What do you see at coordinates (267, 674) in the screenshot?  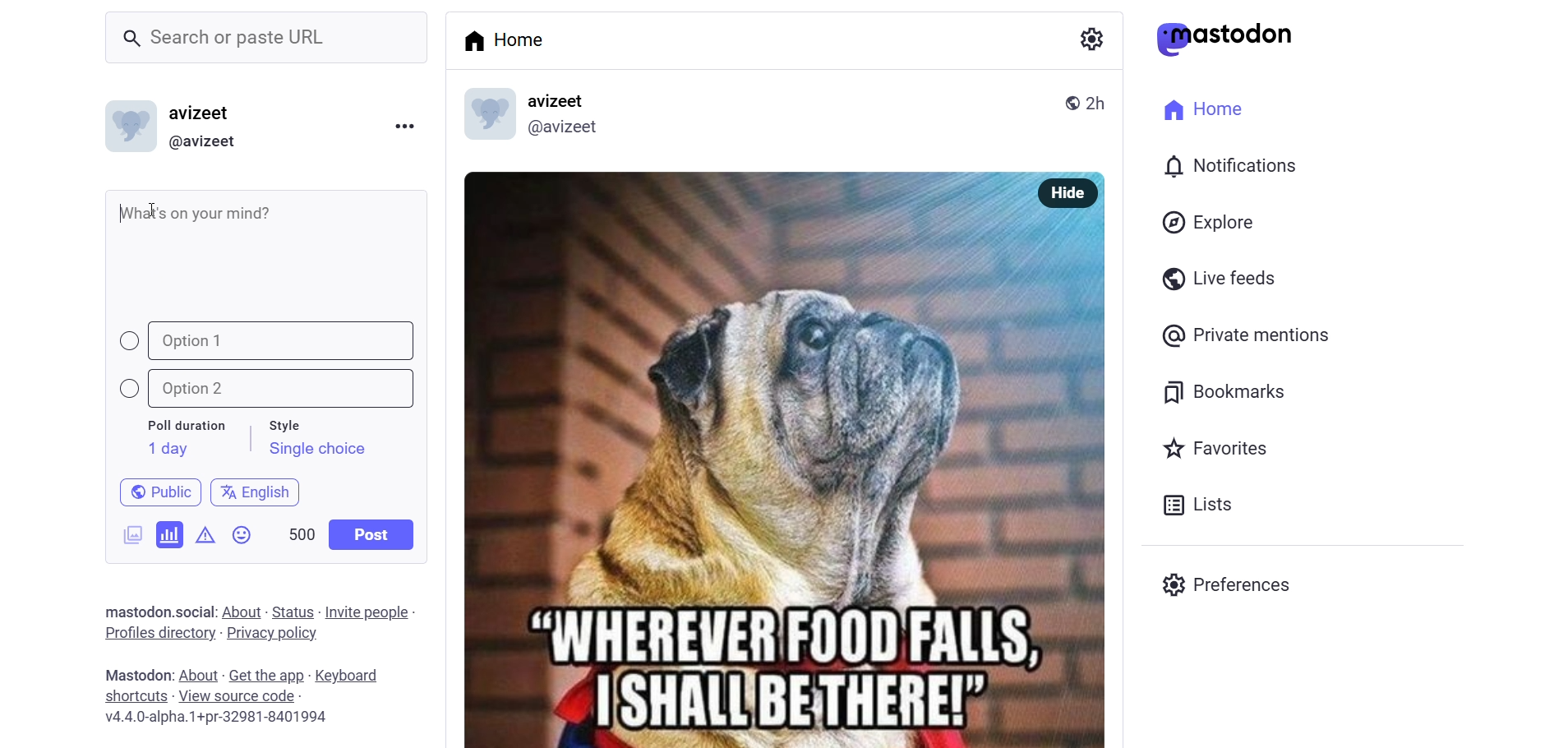 I see `get the app` at bounding box center [267, 674].